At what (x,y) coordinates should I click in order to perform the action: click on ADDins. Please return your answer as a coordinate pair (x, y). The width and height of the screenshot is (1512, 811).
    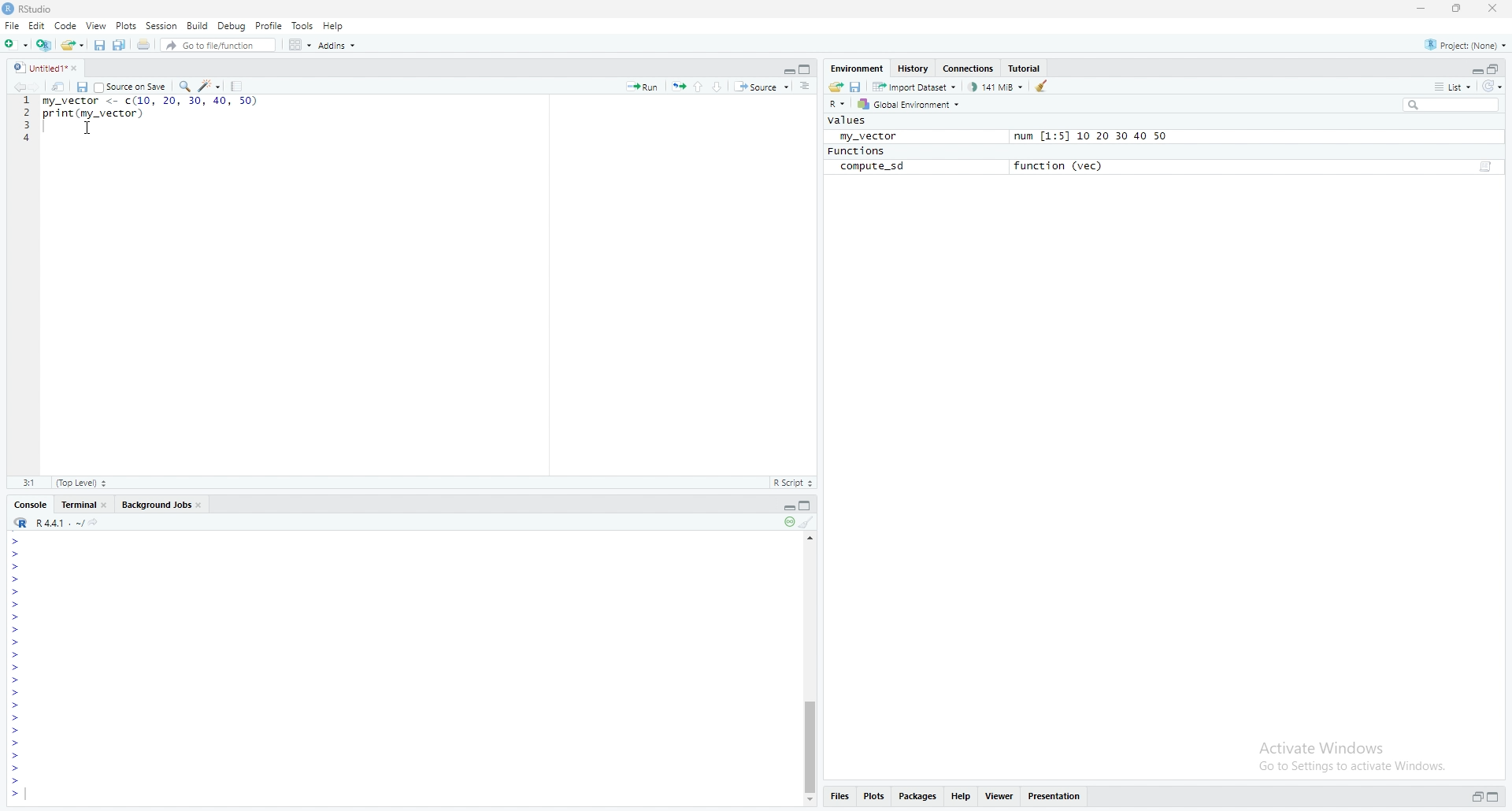
    Looking at the image, I should click on (336, 46).